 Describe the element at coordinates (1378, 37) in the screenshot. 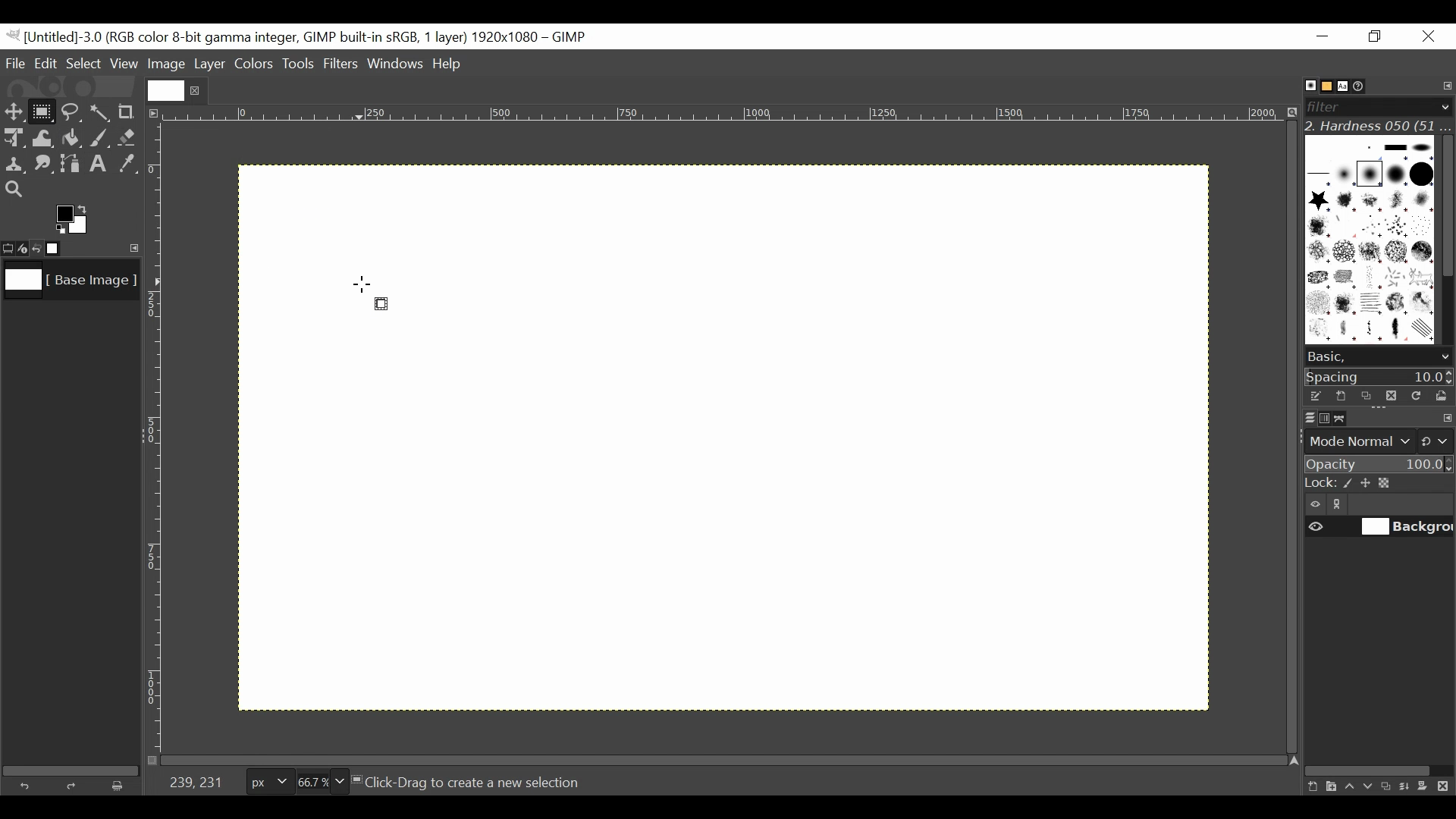

I see `Restore` at that location.